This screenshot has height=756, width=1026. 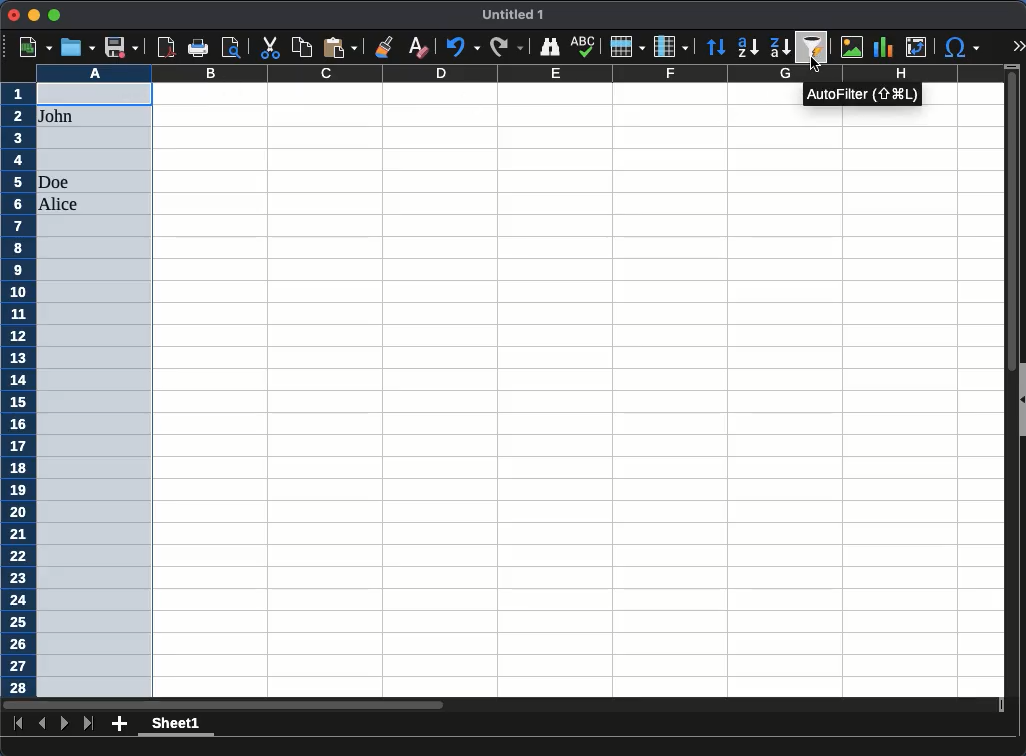 I want to click on paste, so click(x=340, y=47).